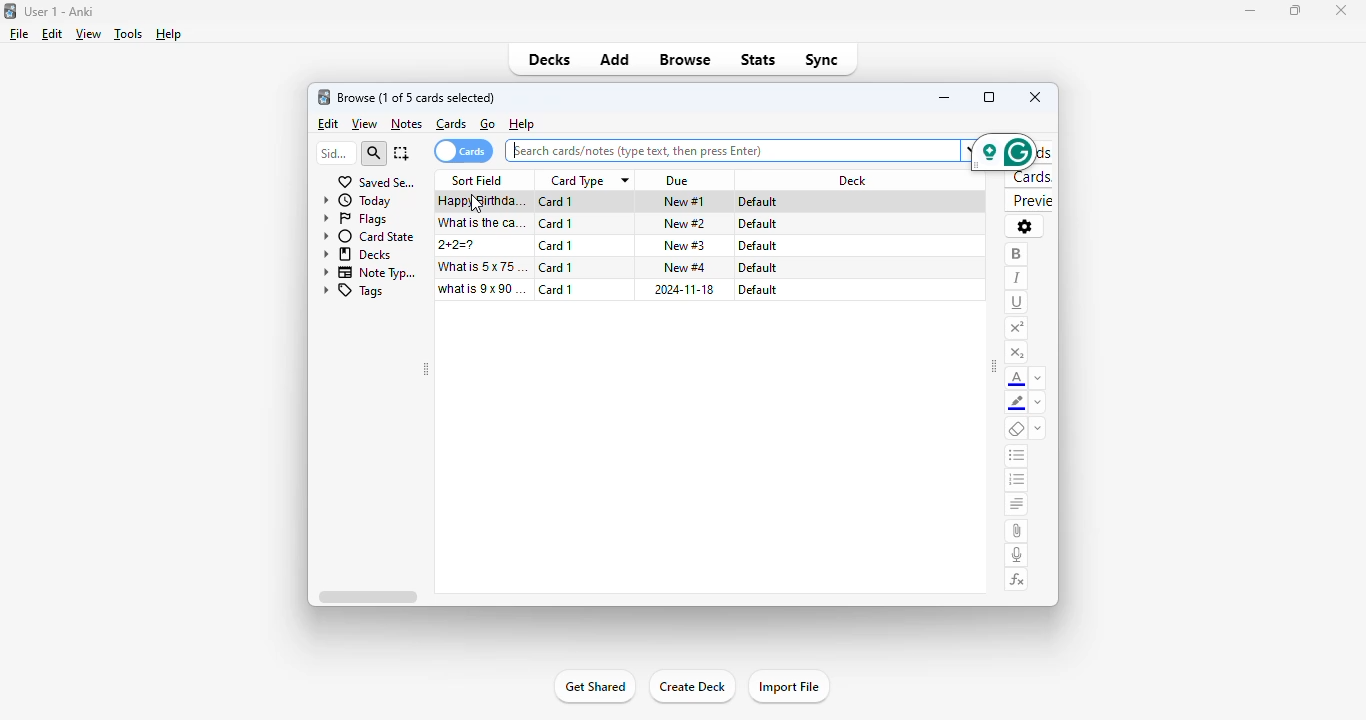  I want to click on search, so click(373, 154).